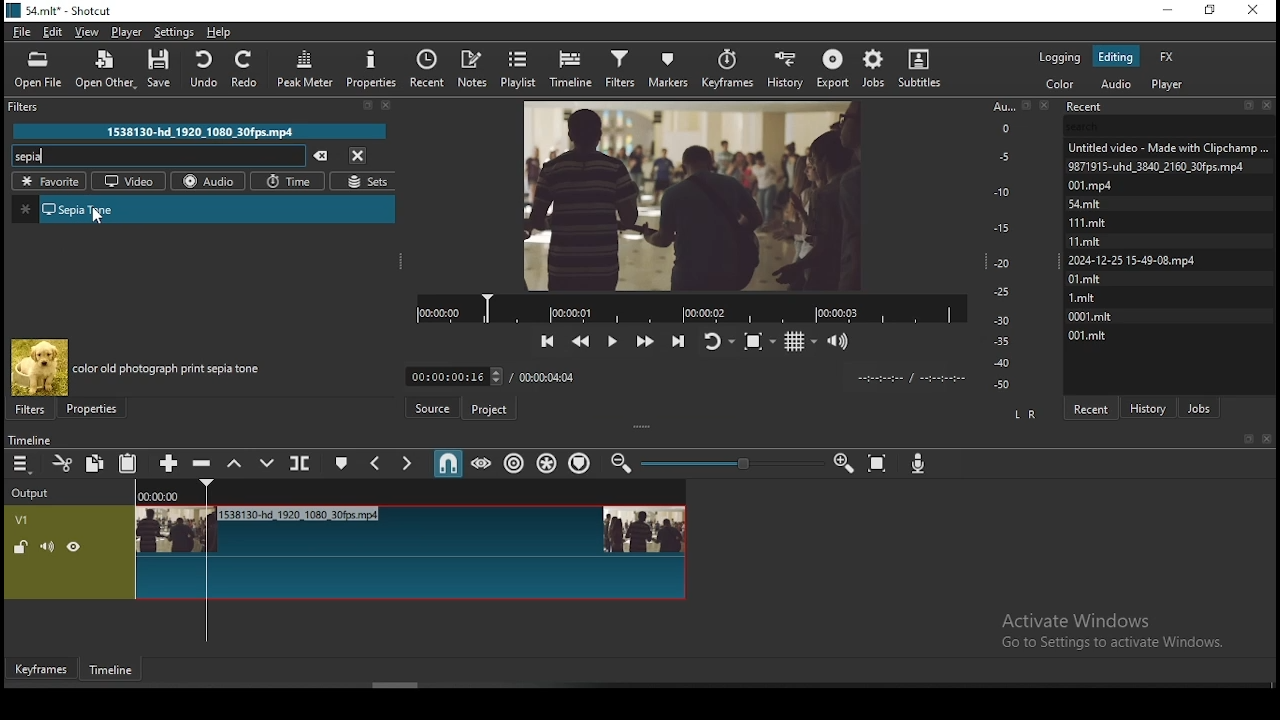 This screenshot has width=1280, height=720. Describe the element at coordinates (1169, 11) in the screenshot. I see `minimize` at that location.